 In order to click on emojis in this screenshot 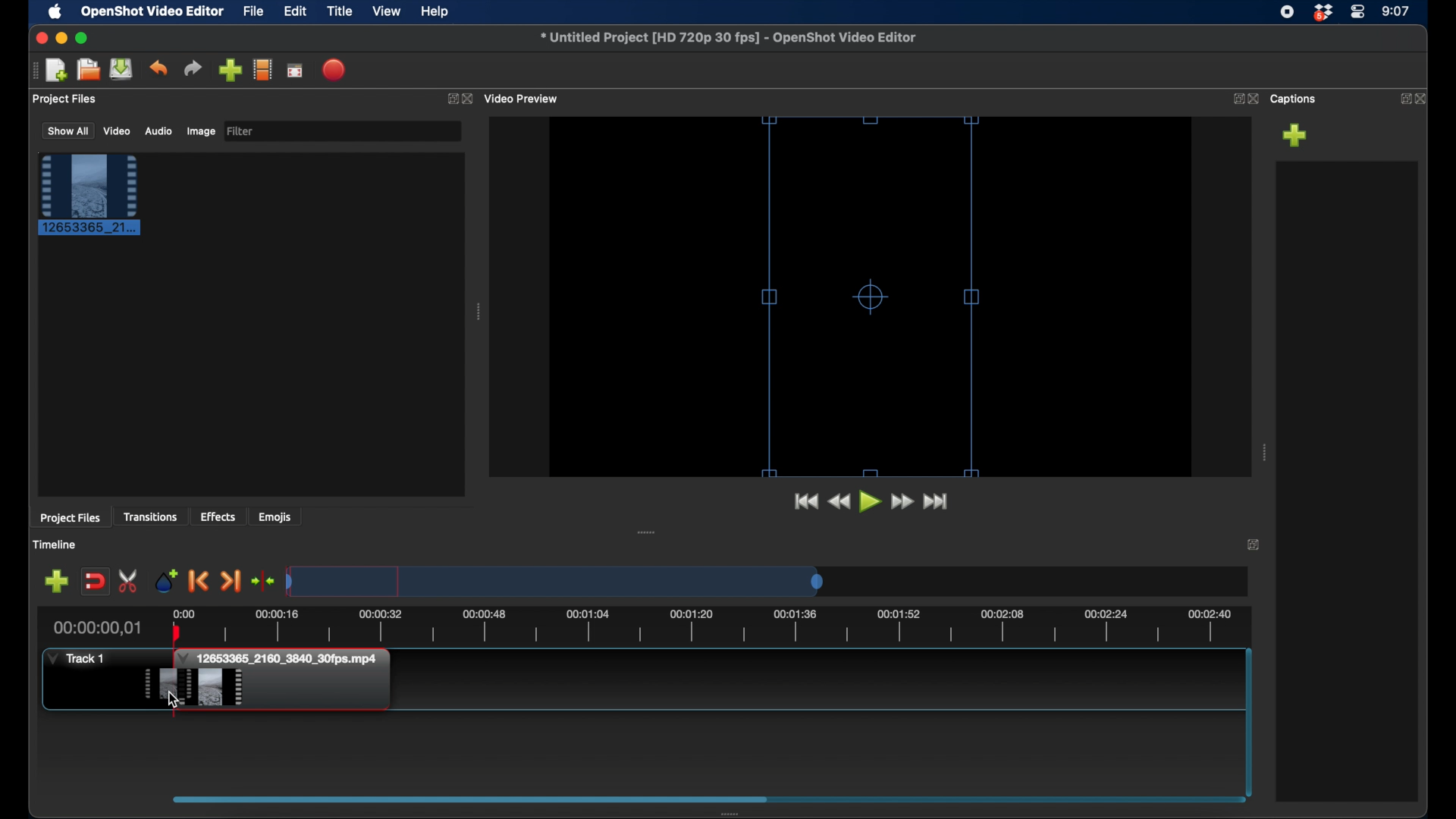, I will do `click(276, 518)`.